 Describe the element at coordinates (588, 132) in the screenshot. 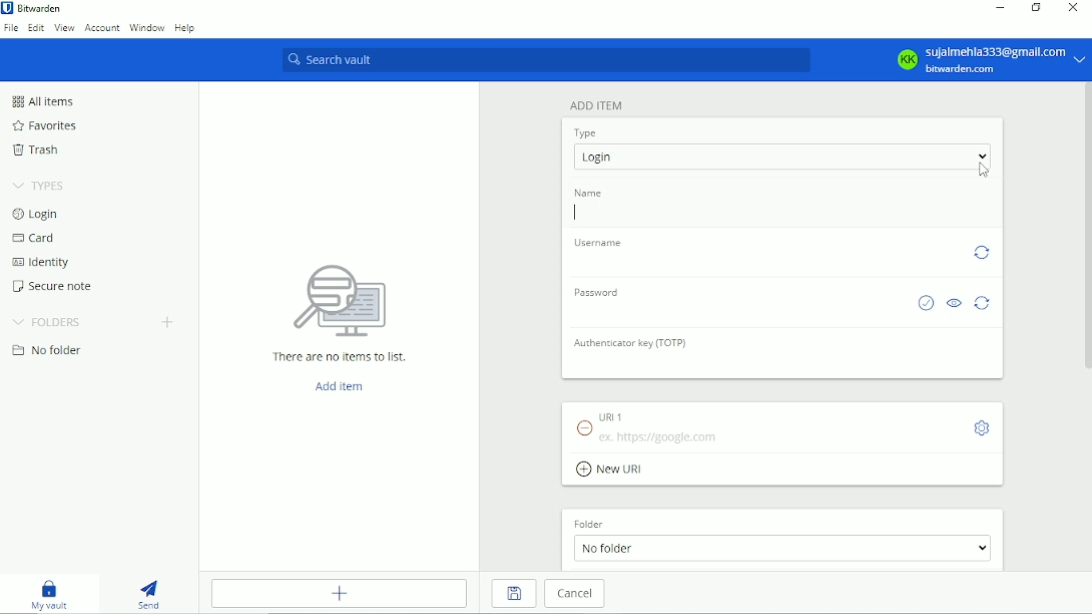

I see `Type` at that location.